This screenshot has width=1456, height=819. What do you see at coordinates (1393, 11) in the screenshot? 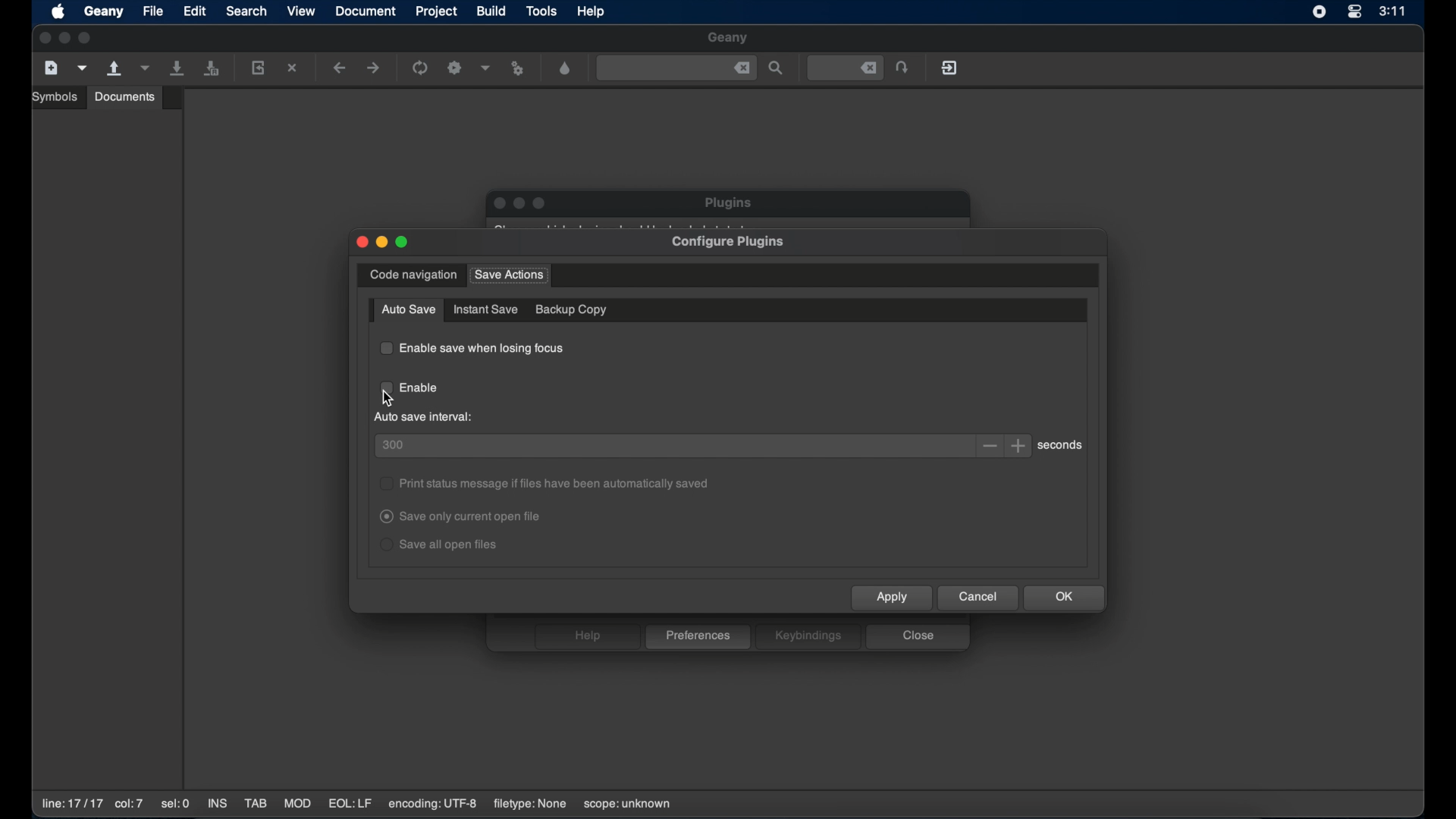
I see `3:11` at bounding box center [1393, 11].